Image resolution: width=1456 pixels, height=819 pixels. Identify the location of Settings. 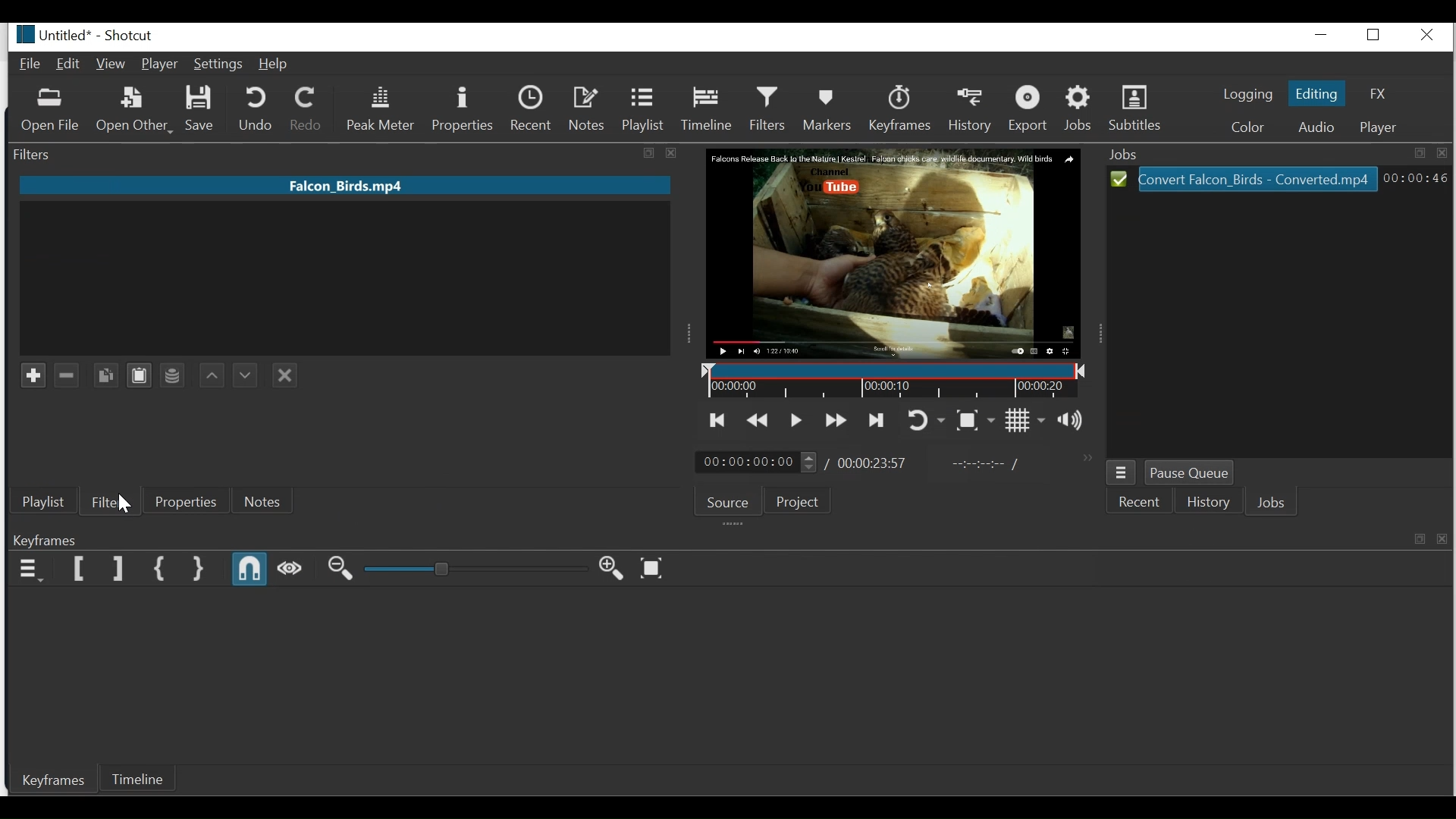
(218, 65).